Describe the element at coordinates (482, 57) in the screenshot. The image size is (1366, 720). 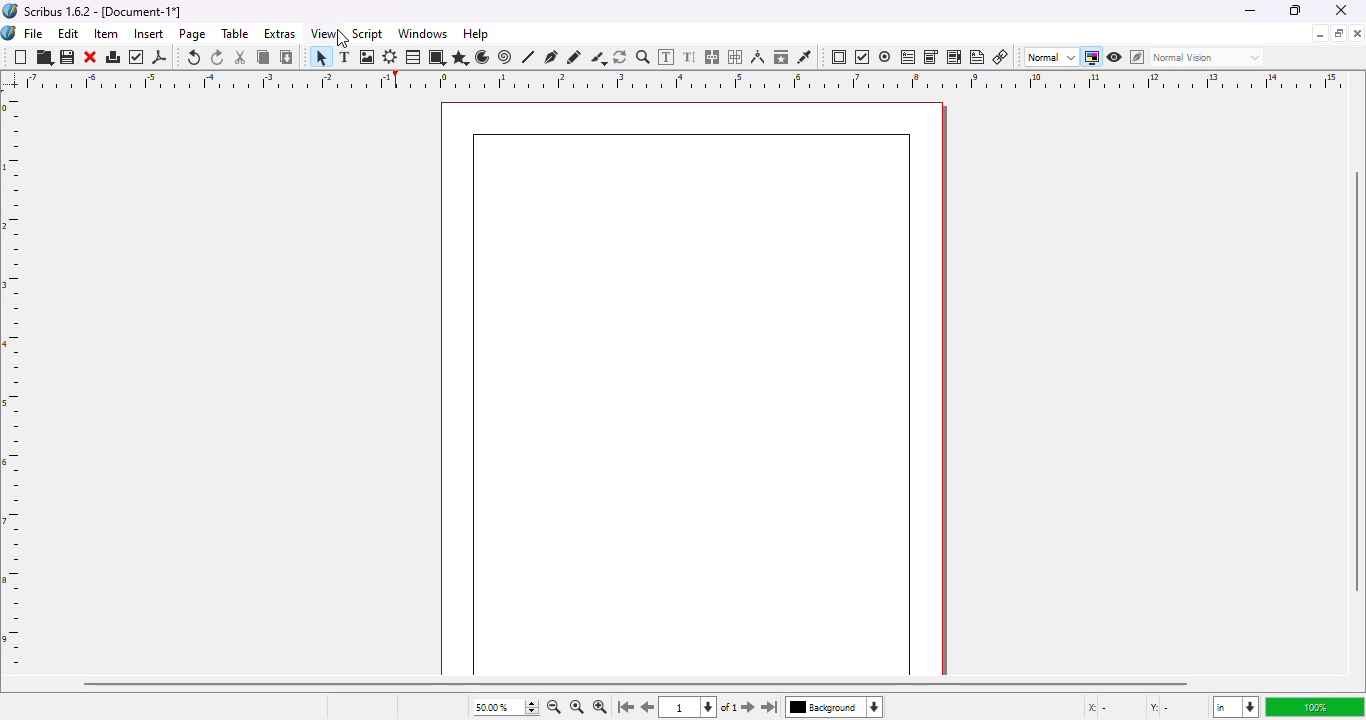
I see `arc` at that location.